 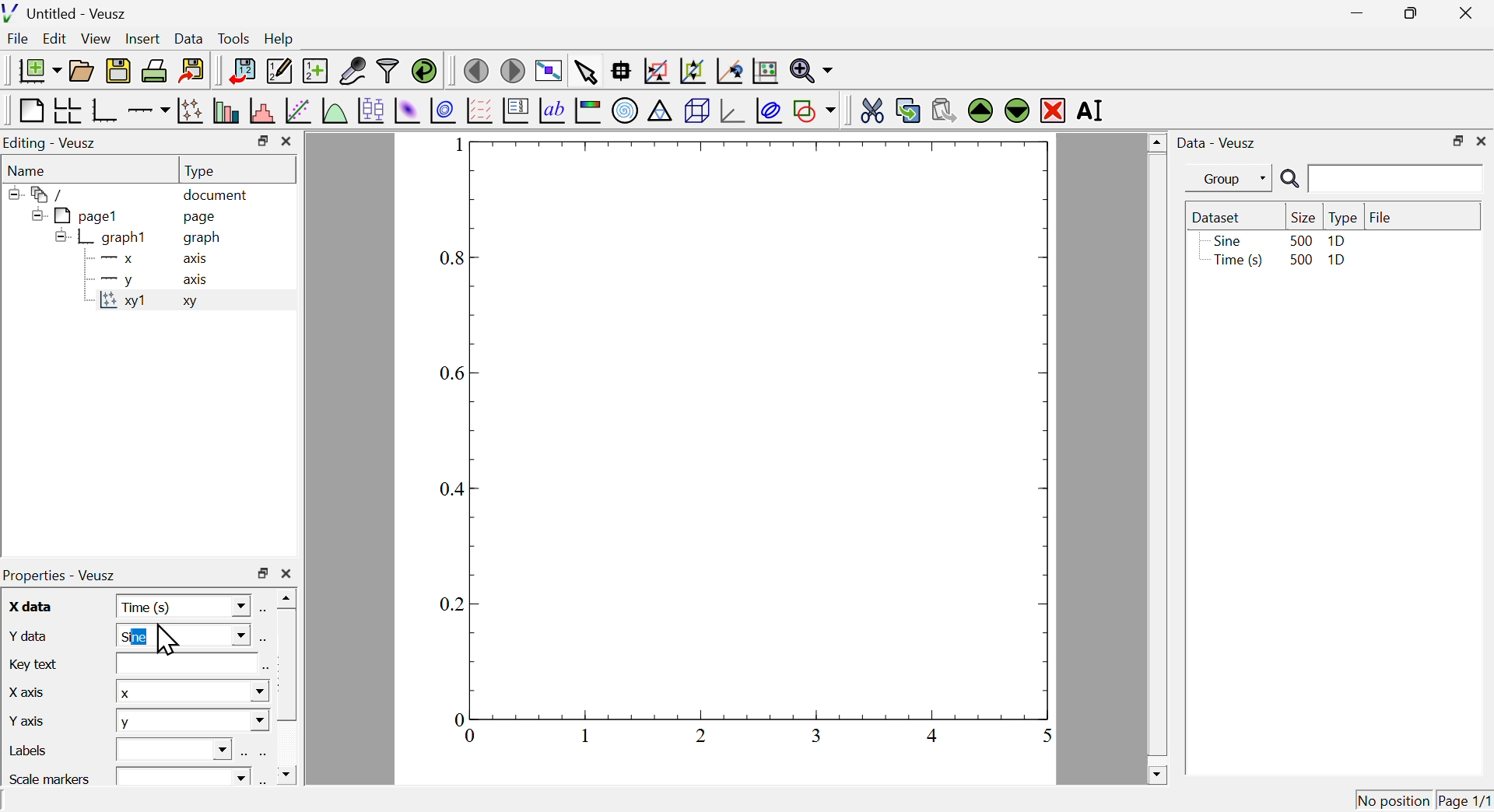 I want to click on plot a 2d dataset as contours, so click(x=443, y=110).